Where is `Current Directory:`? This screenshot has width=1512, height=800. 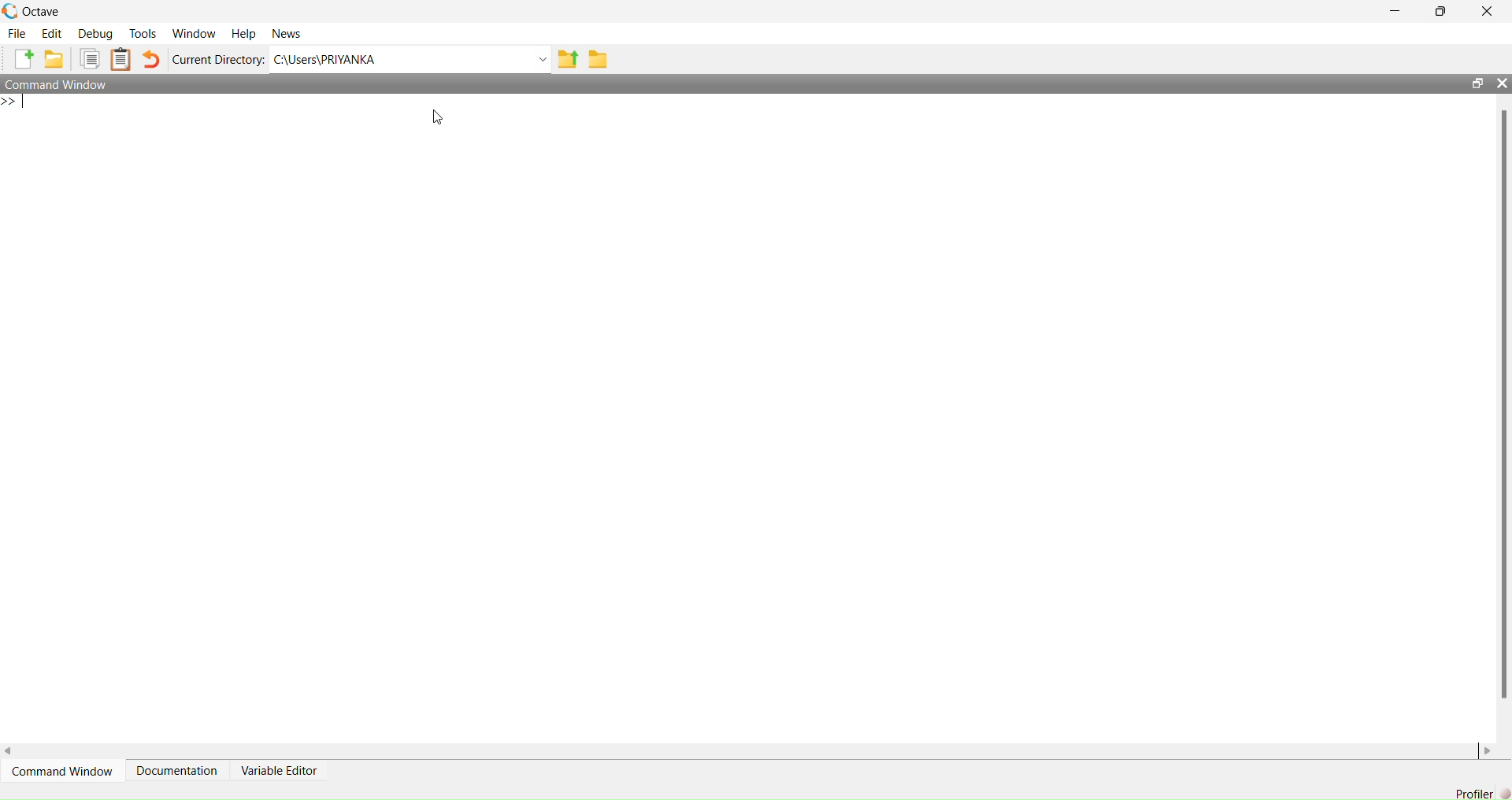 Current Directory: is located at coordinates (219, 61).